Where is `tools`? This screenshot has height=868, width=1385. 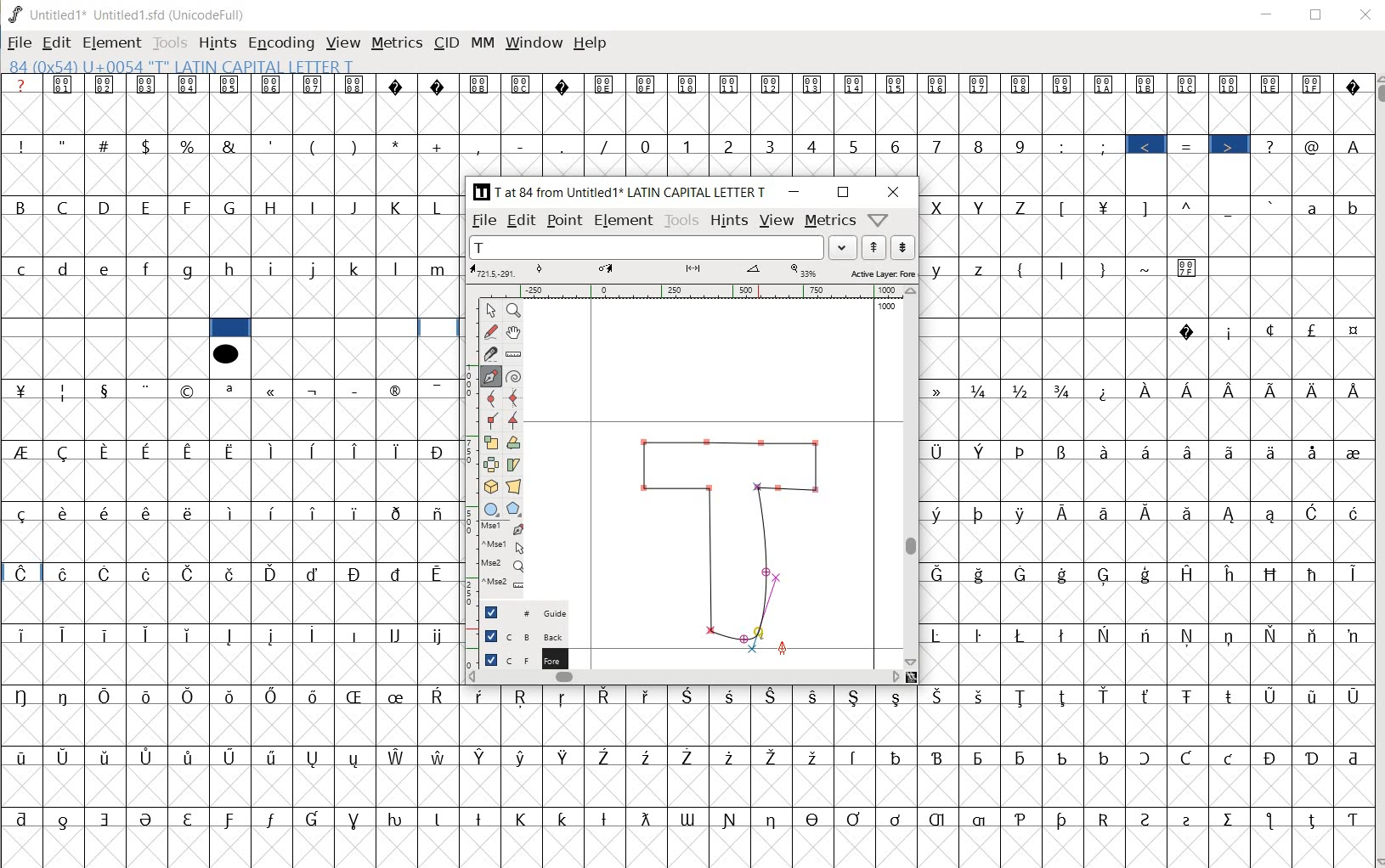 tools is located at coordinates (171, 42).